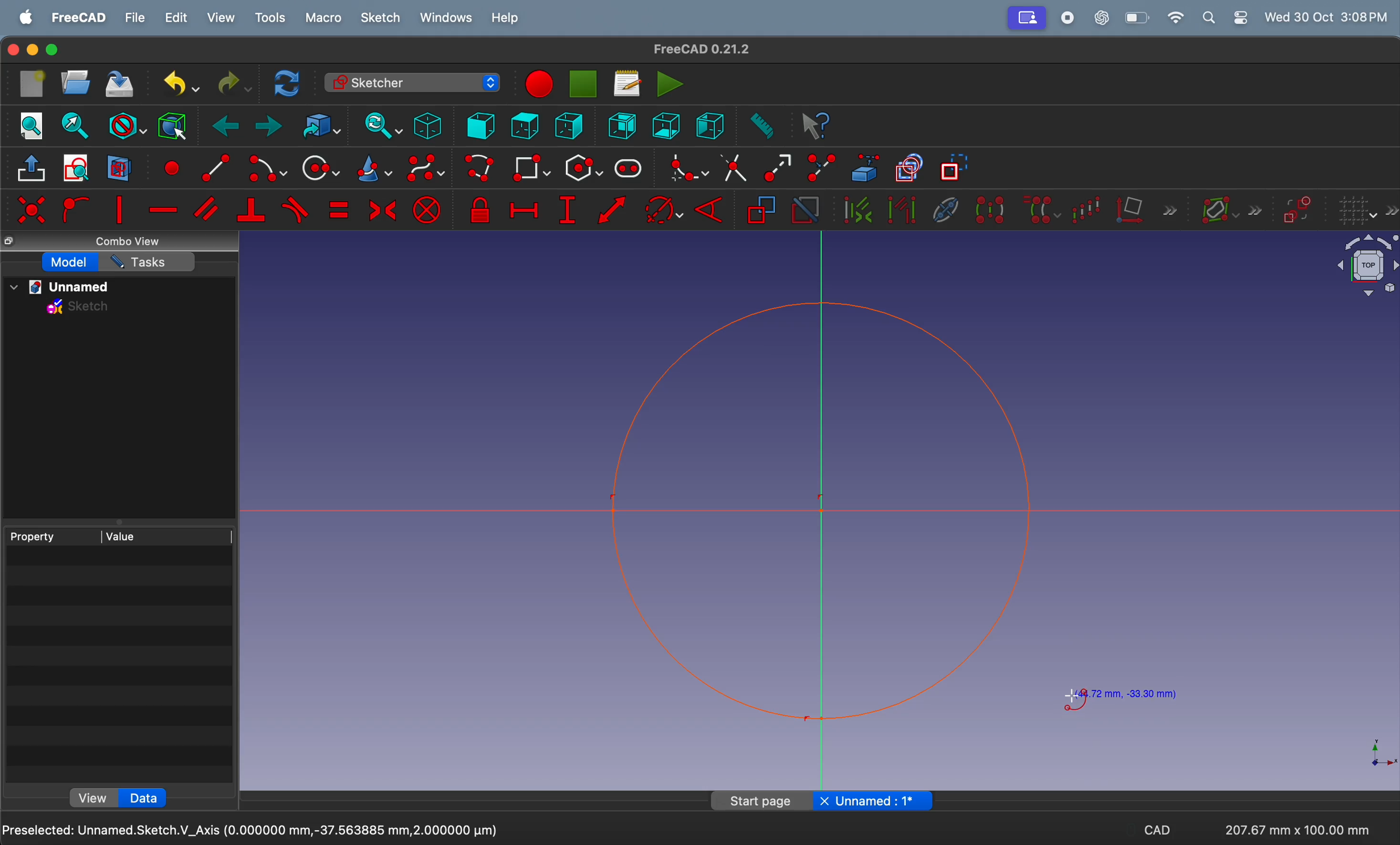 The height and width of the screenshot is (845, 1400). What do you see at coordinates (119, 168) in the screenshot?
I see `view section` at bounding box center [119, 168].